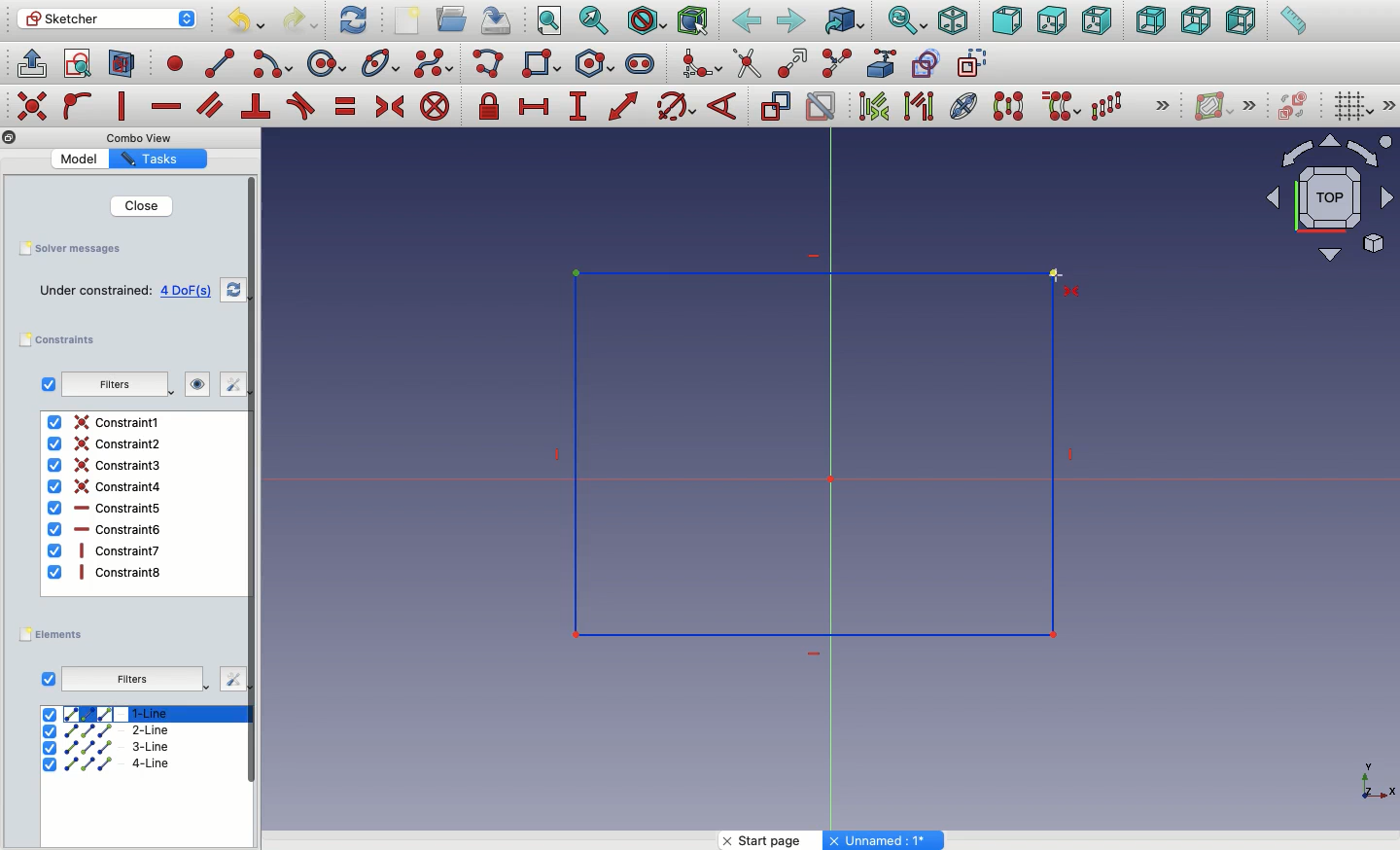 This screenshot has width=1400, height=850. I want to click on Symmetry, so click(1007, 106).